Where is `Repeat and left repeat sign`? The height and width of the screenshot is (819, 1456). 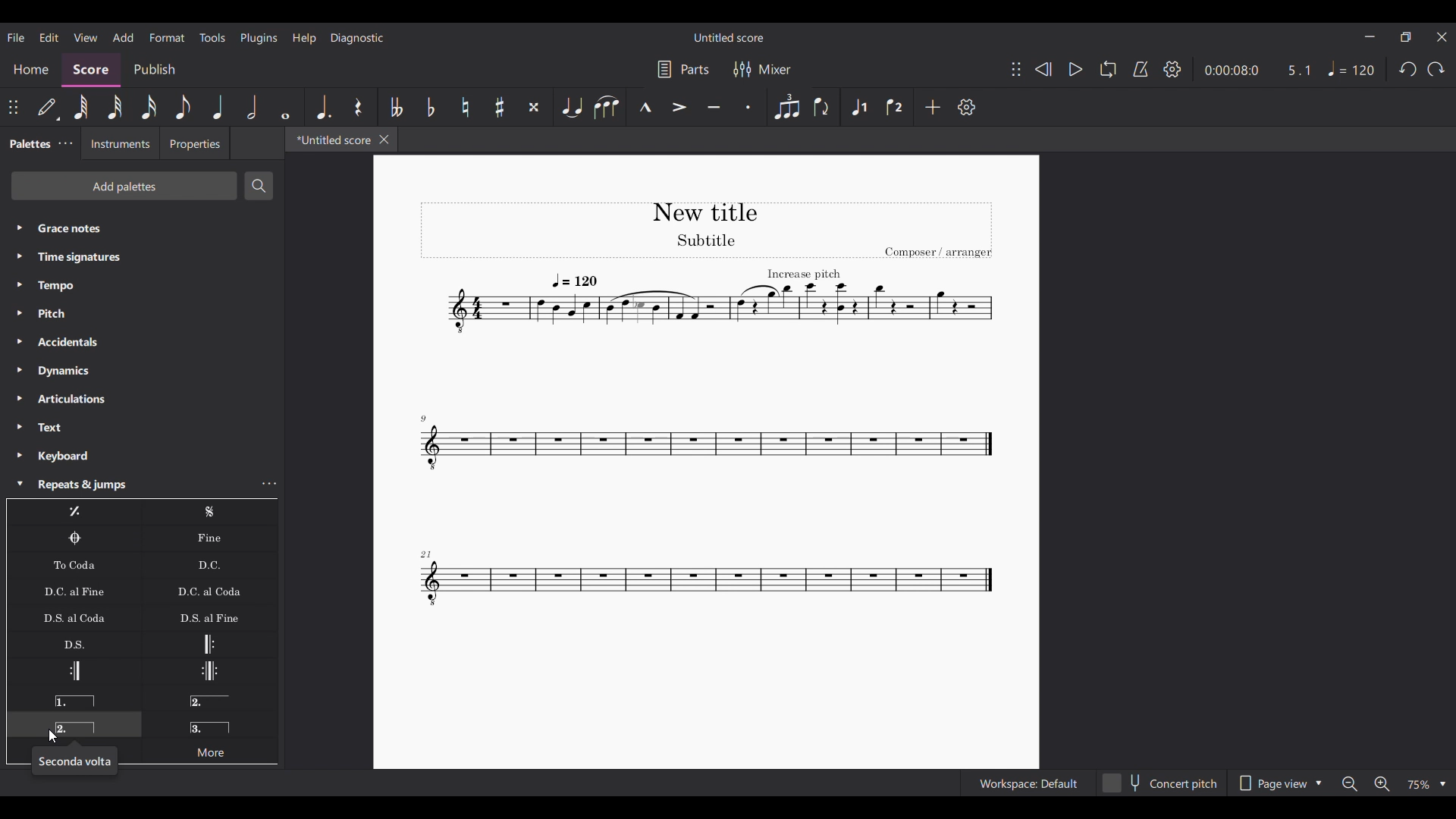 Repeat and left repeat sign is located at coordinates (209, 671).